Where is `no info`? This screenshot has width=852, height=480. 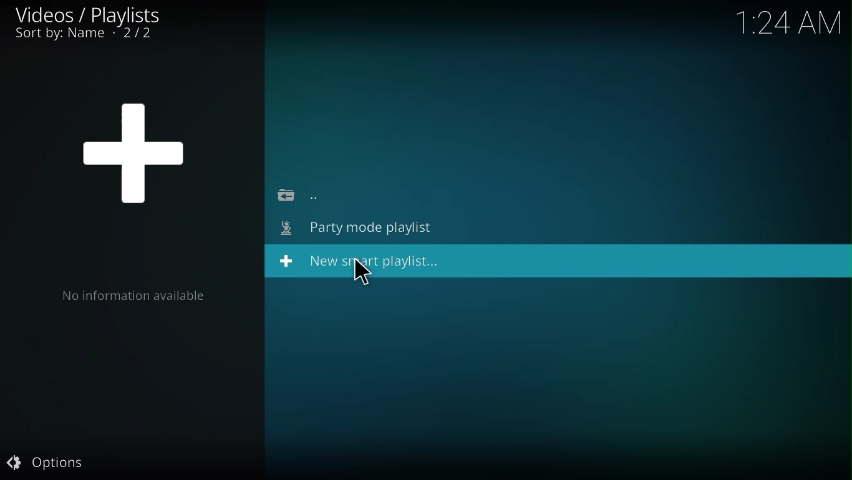
no info is located at coordinates (133, 297).